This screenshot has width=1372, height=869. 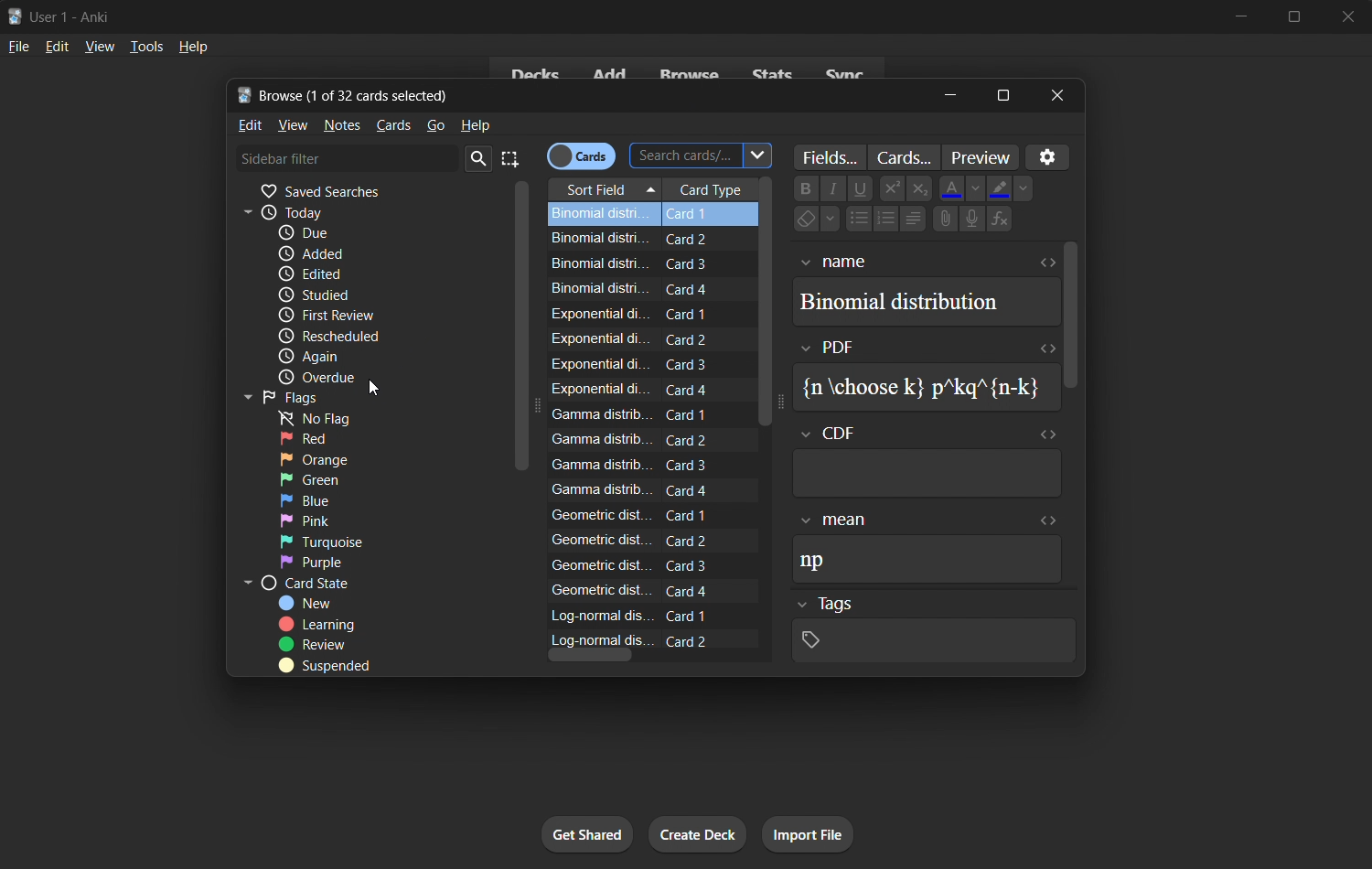 What do you see at coordinates (598, 566) in the screenshot?
I see `‘Geometric dist...` at bounding box center [598, 566].